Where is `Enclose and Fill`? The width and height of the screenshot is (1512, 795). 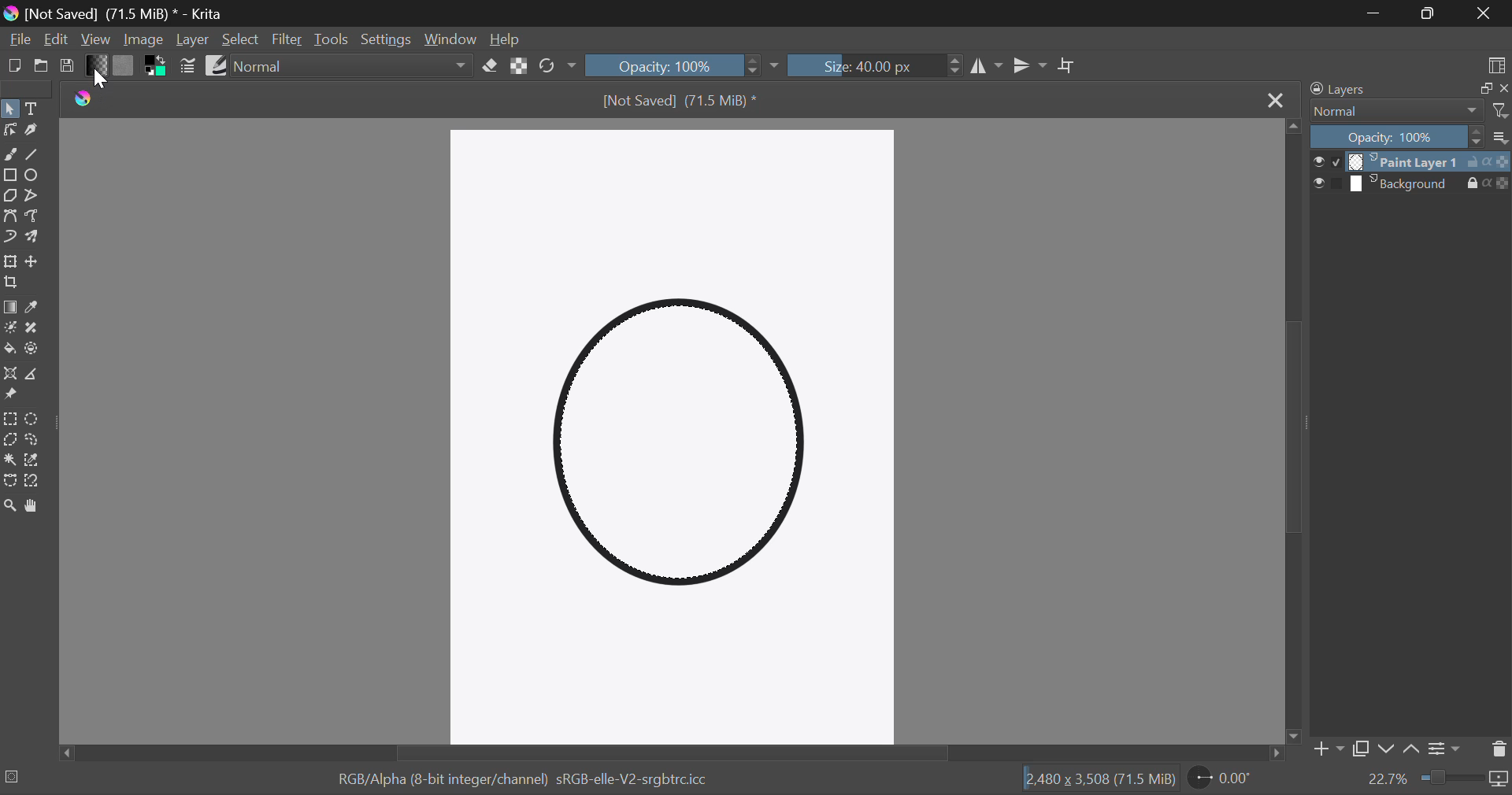 Enclose and Fill is located at coordinates (37, 349).